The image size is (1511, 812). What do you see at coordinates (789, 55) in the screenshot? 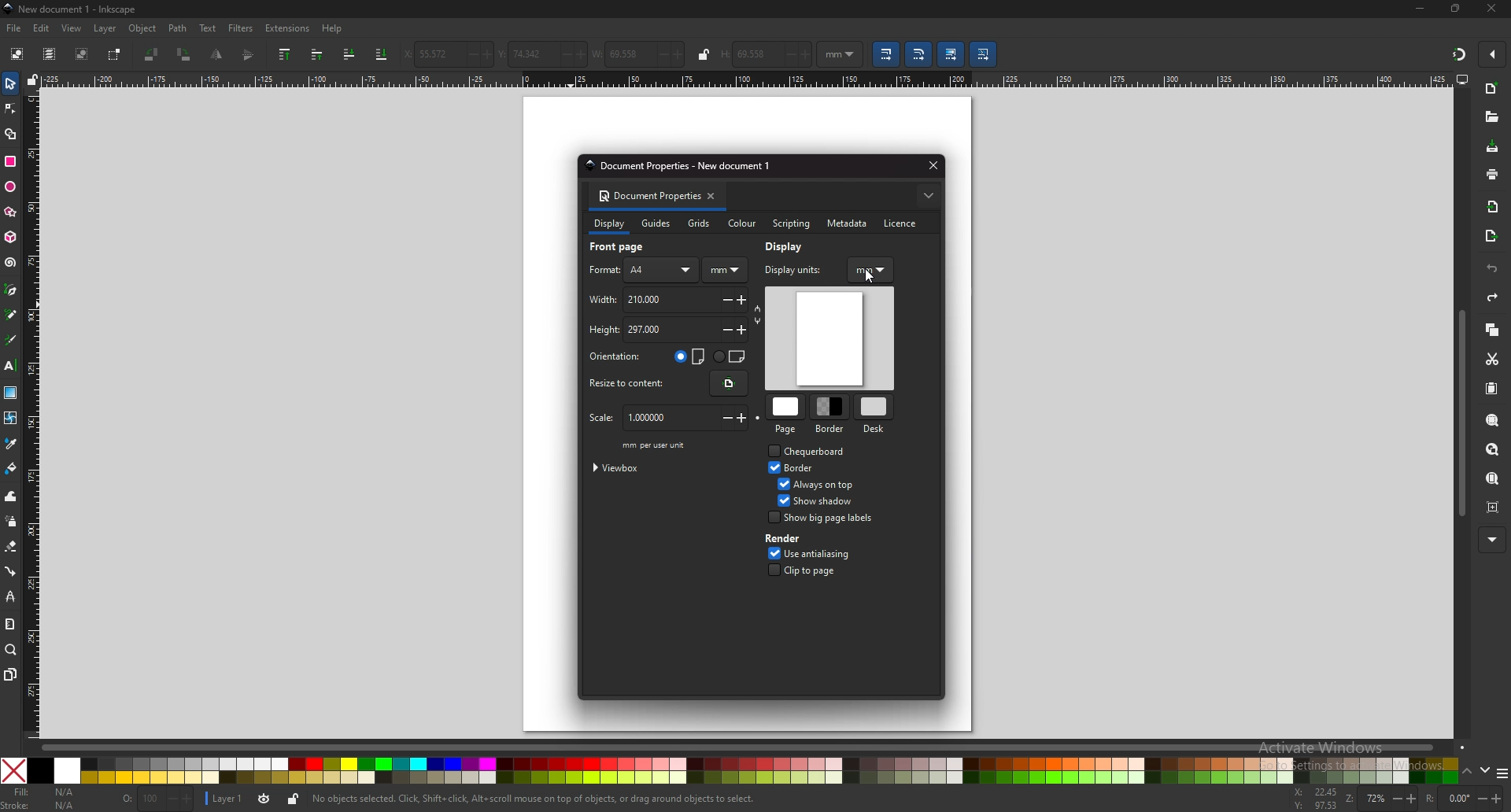
I see `-` at bounding box center [789, 55].